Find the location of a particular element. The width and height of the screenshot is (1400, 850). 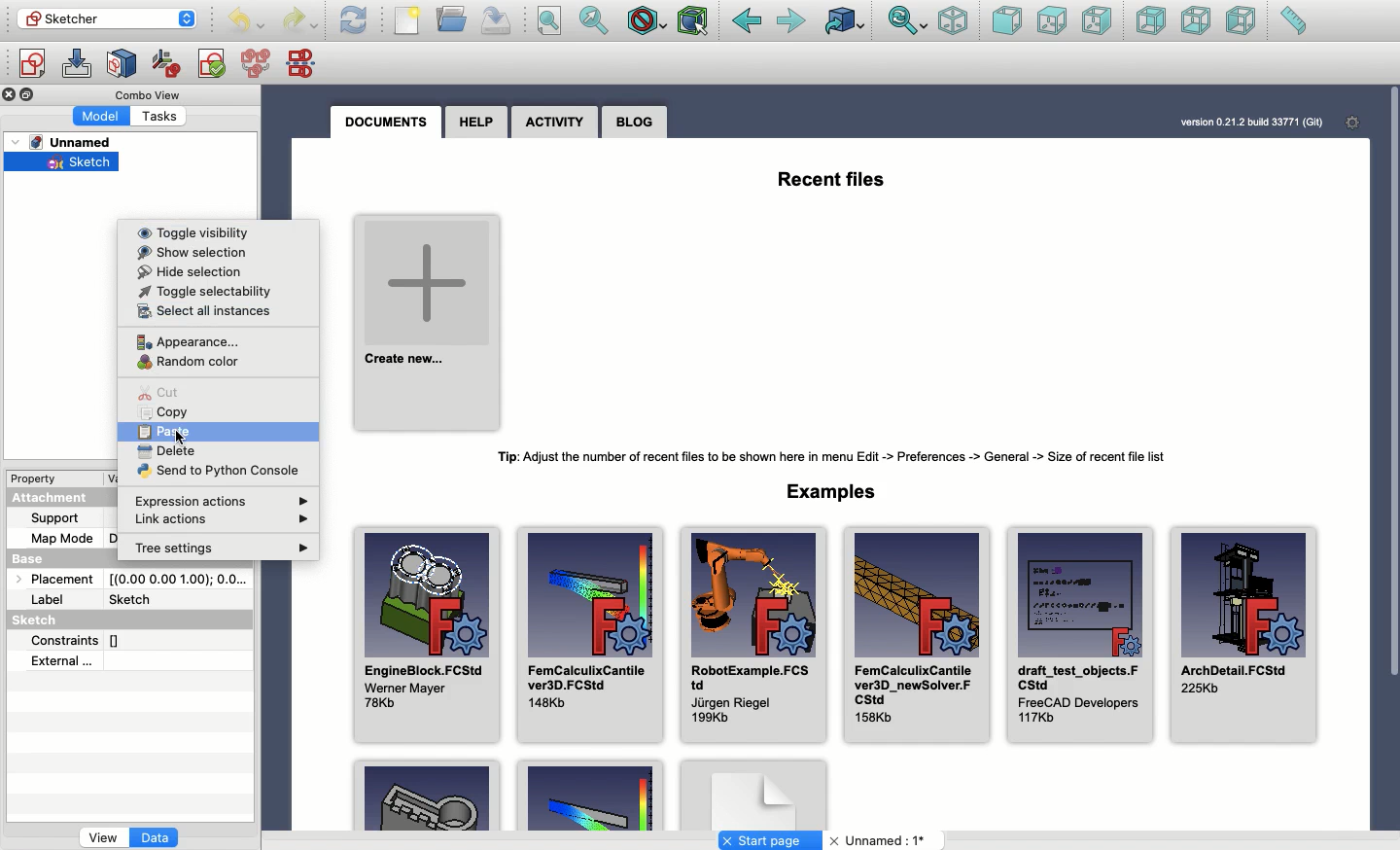

FemCalculixCantile is located at coordinates (589, 632).